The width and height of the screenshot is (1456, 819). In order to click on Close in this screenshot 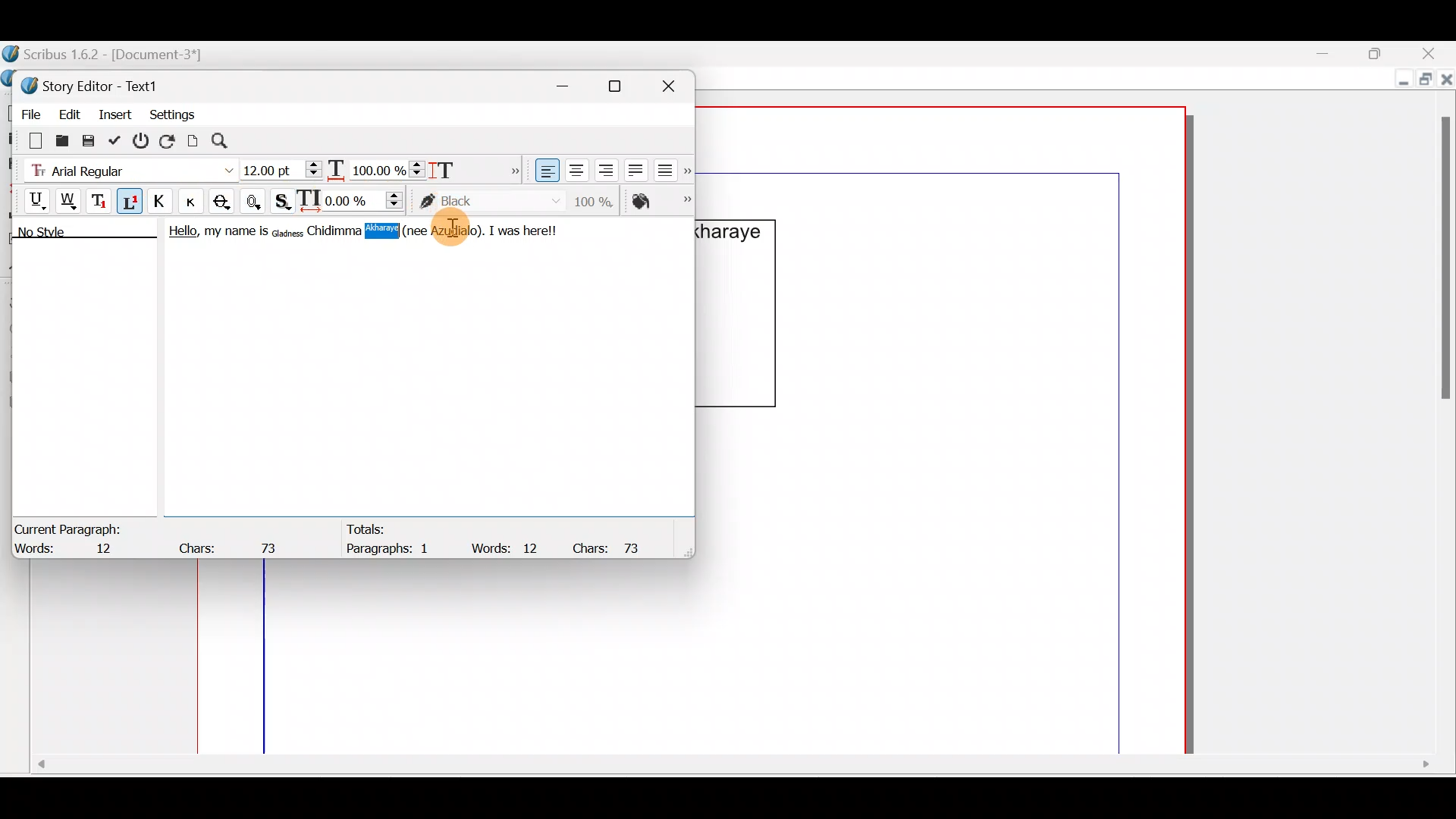, I will do `click(1433, 53)`.